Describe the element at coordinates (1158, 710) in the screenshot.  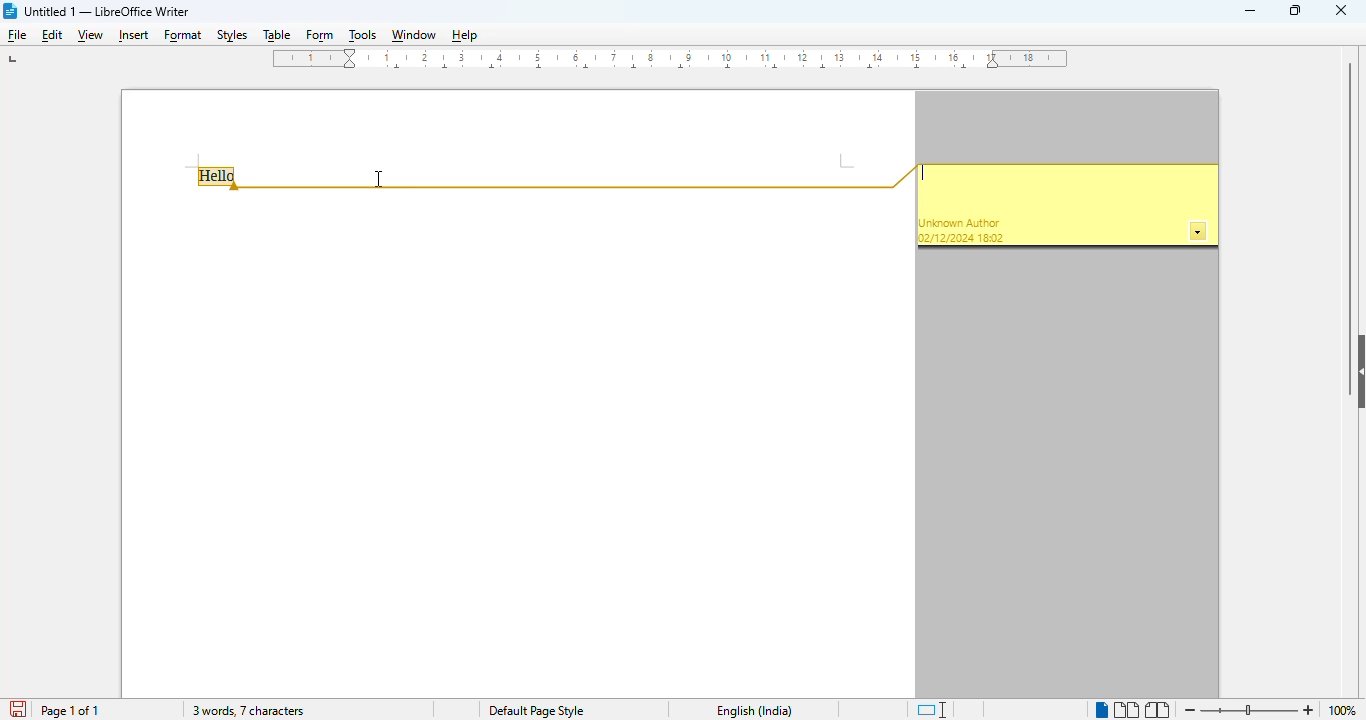
I see `book view` at that location.